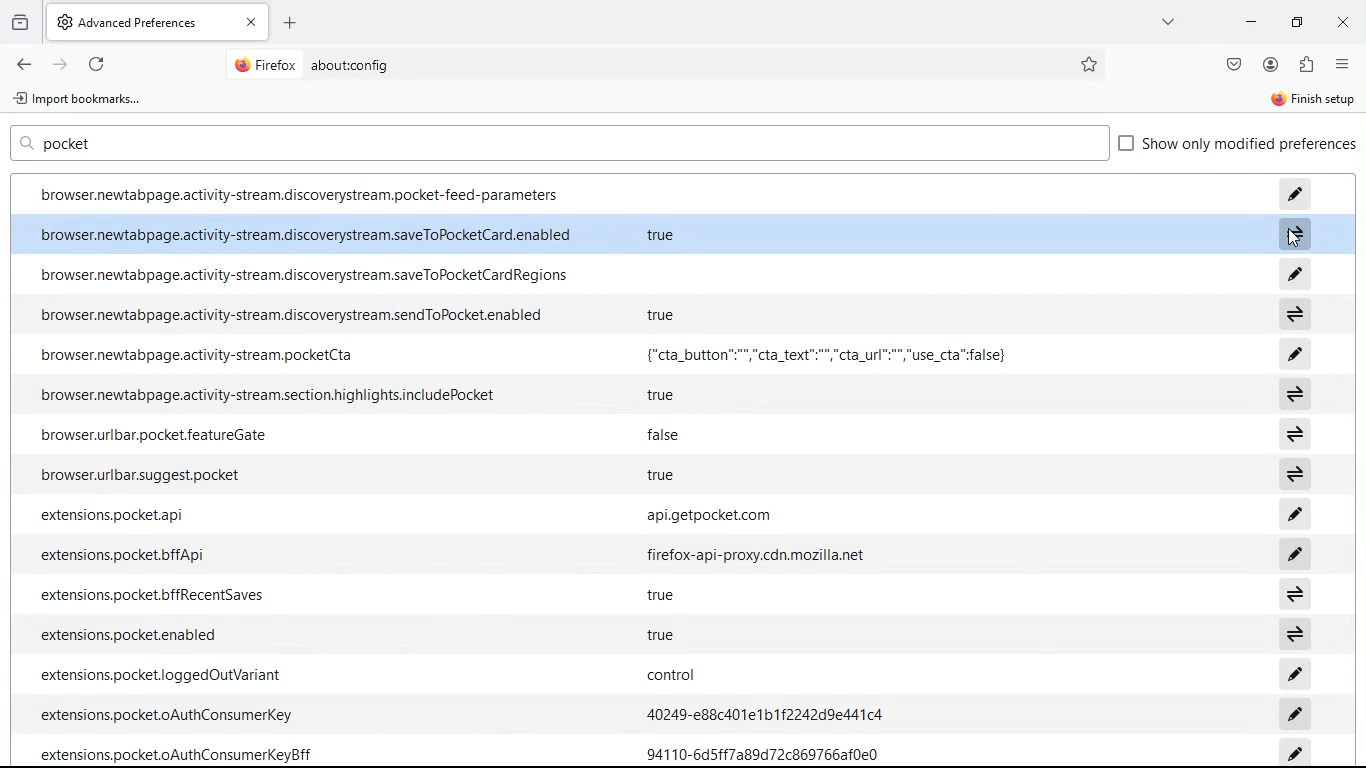  Describe the element at coordinates (680, 673) in the screenshot. I see `Control` at that location.